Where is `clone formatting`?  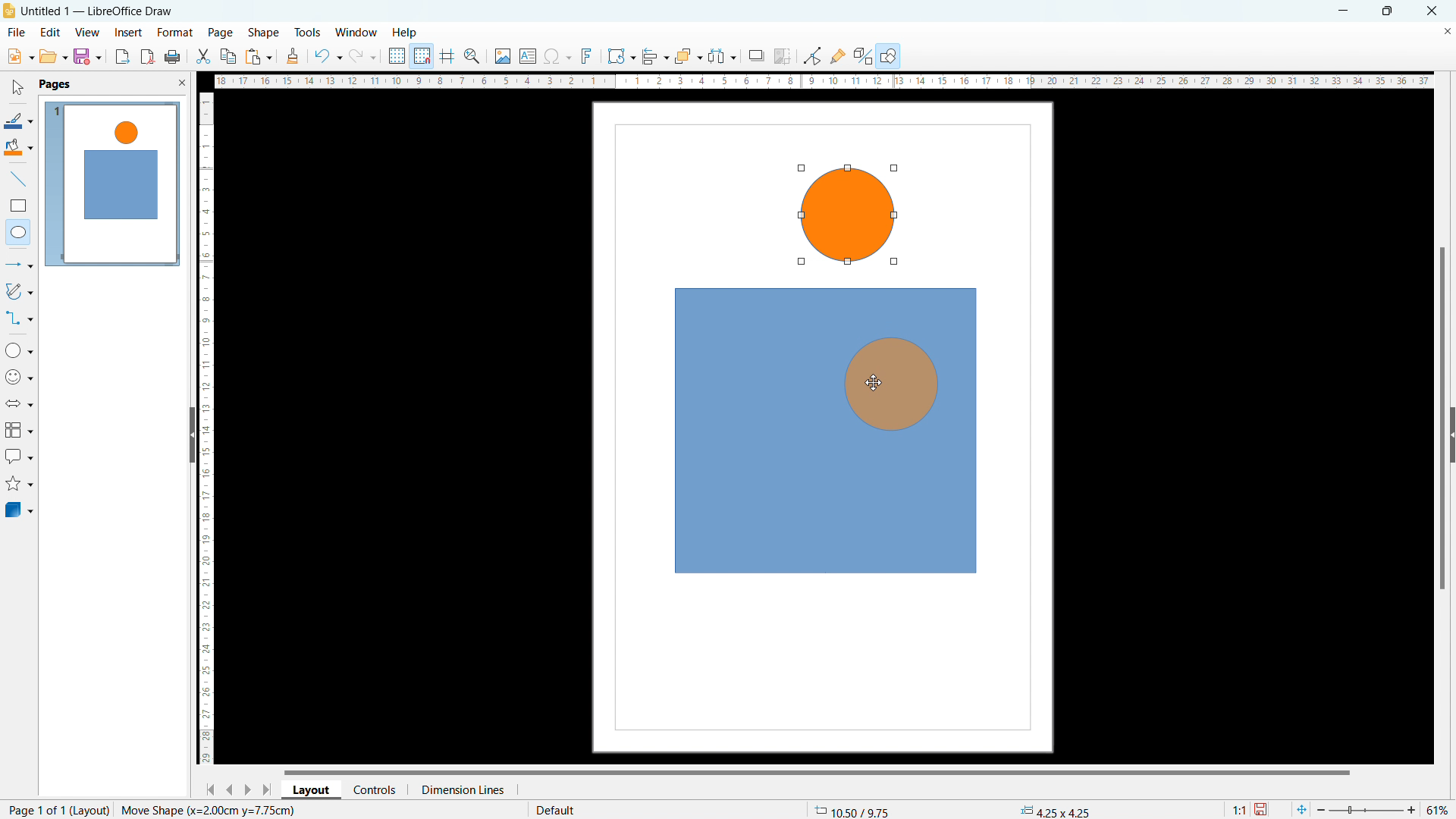 clone formatting is located at coordinates (293, 57).